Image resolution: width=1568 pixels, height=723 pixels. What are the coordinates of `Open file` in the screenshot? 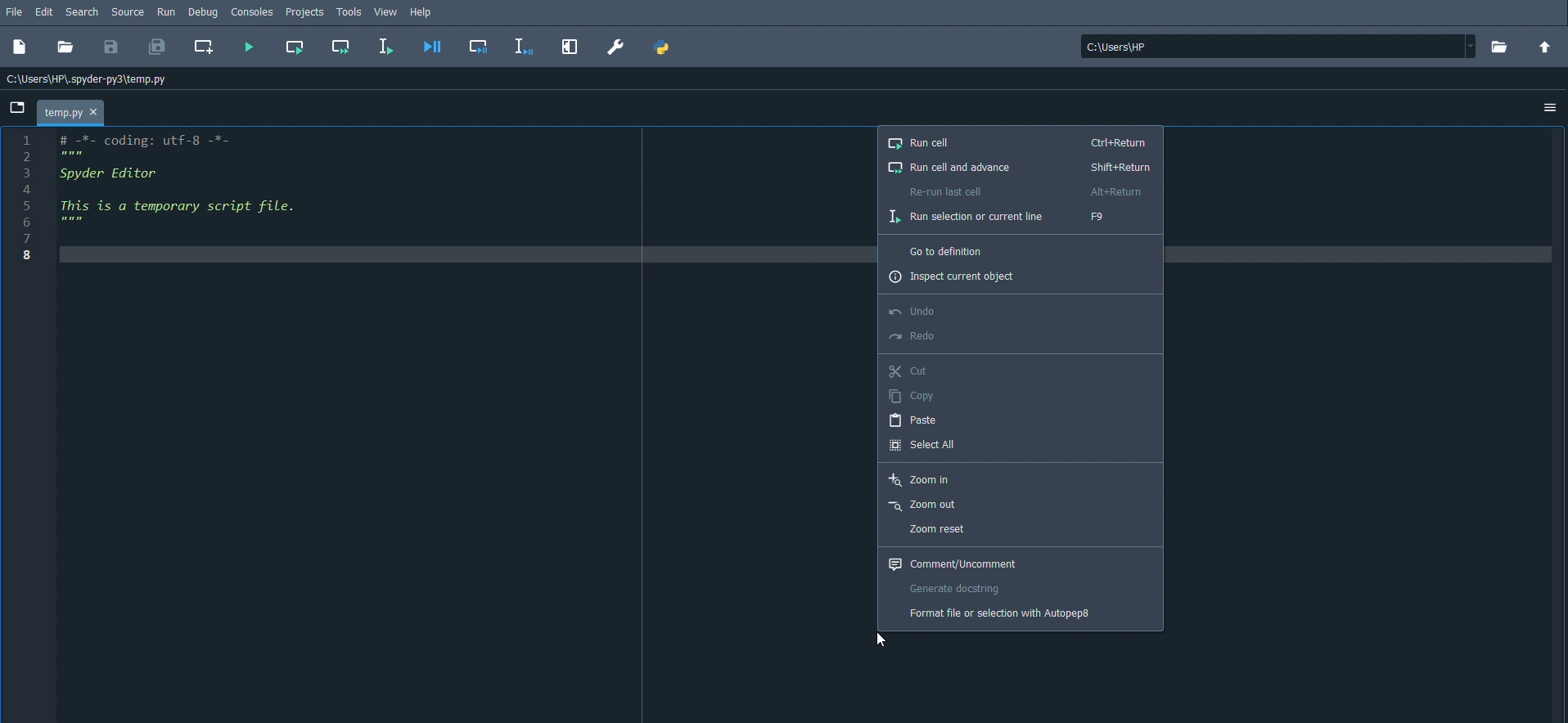 It's located at (66, 48).